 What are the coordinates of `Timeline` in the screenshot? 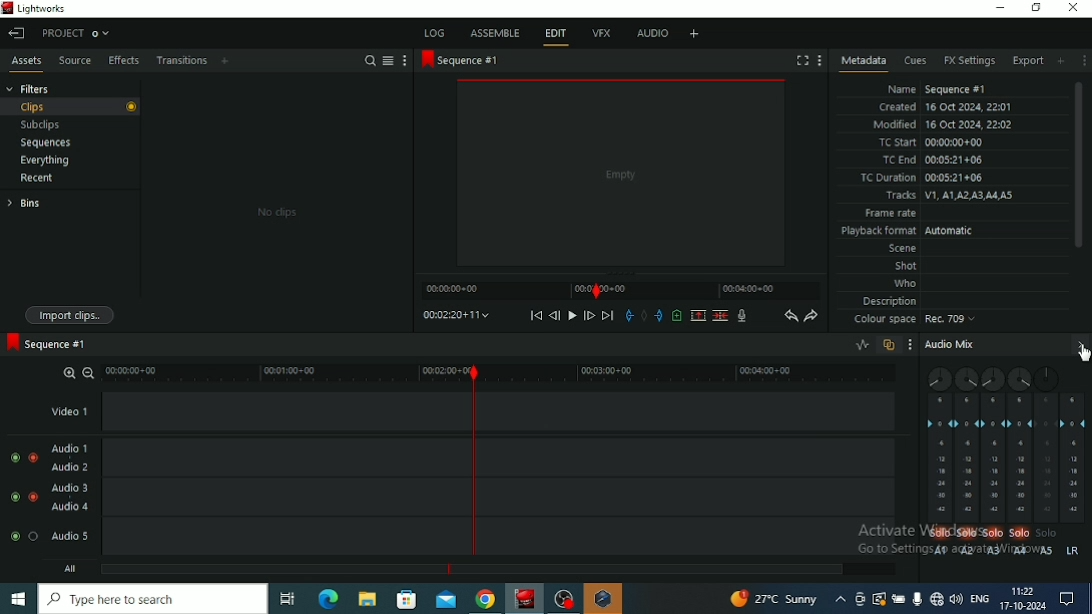 It's located at (504, 372).